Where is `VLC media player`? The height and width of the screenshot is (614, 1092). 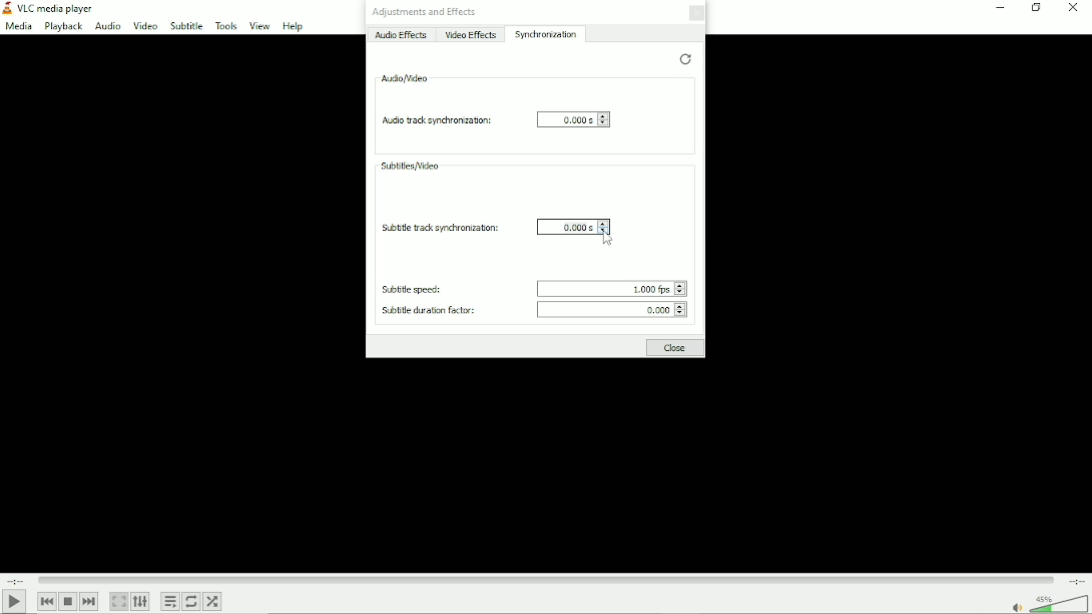 VLC media player is located at coordinates (50, 8).